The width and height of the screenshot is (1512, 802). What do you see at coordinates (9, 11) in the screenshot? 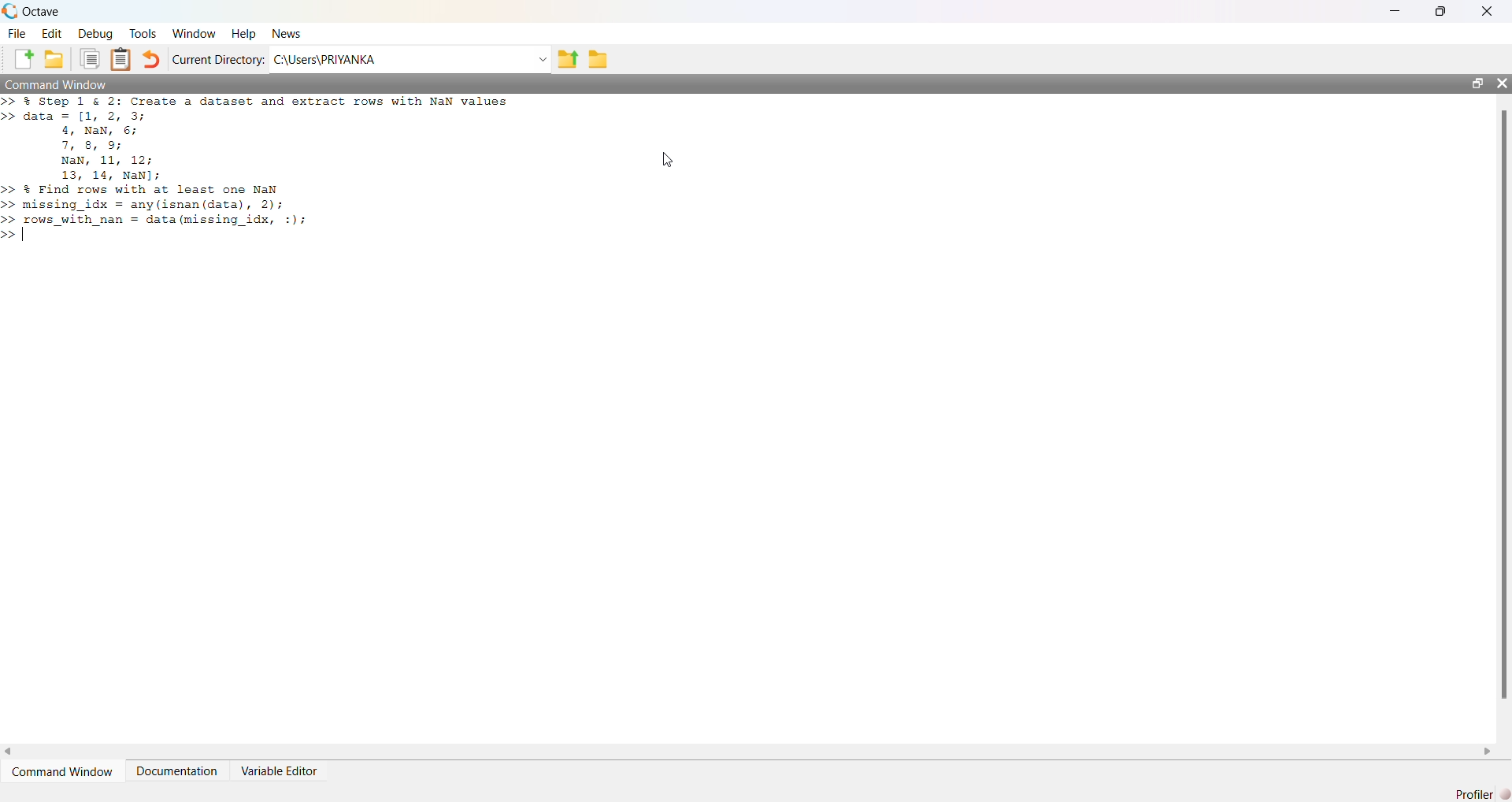
I see `logo` at bounding box center [9, 11].